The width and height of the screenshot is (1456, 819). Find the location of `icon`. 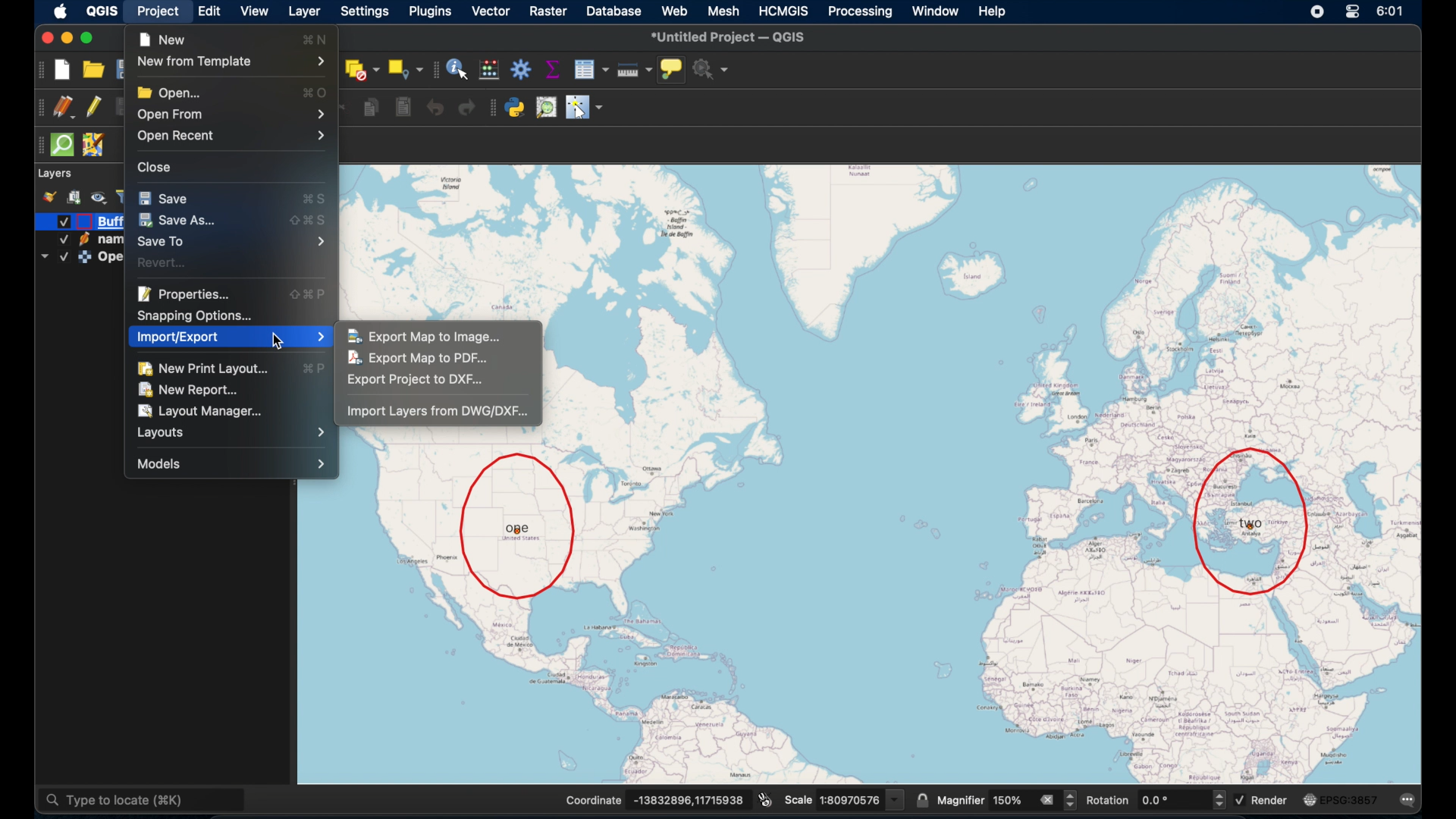

icon is located at coordinates (83, 221).